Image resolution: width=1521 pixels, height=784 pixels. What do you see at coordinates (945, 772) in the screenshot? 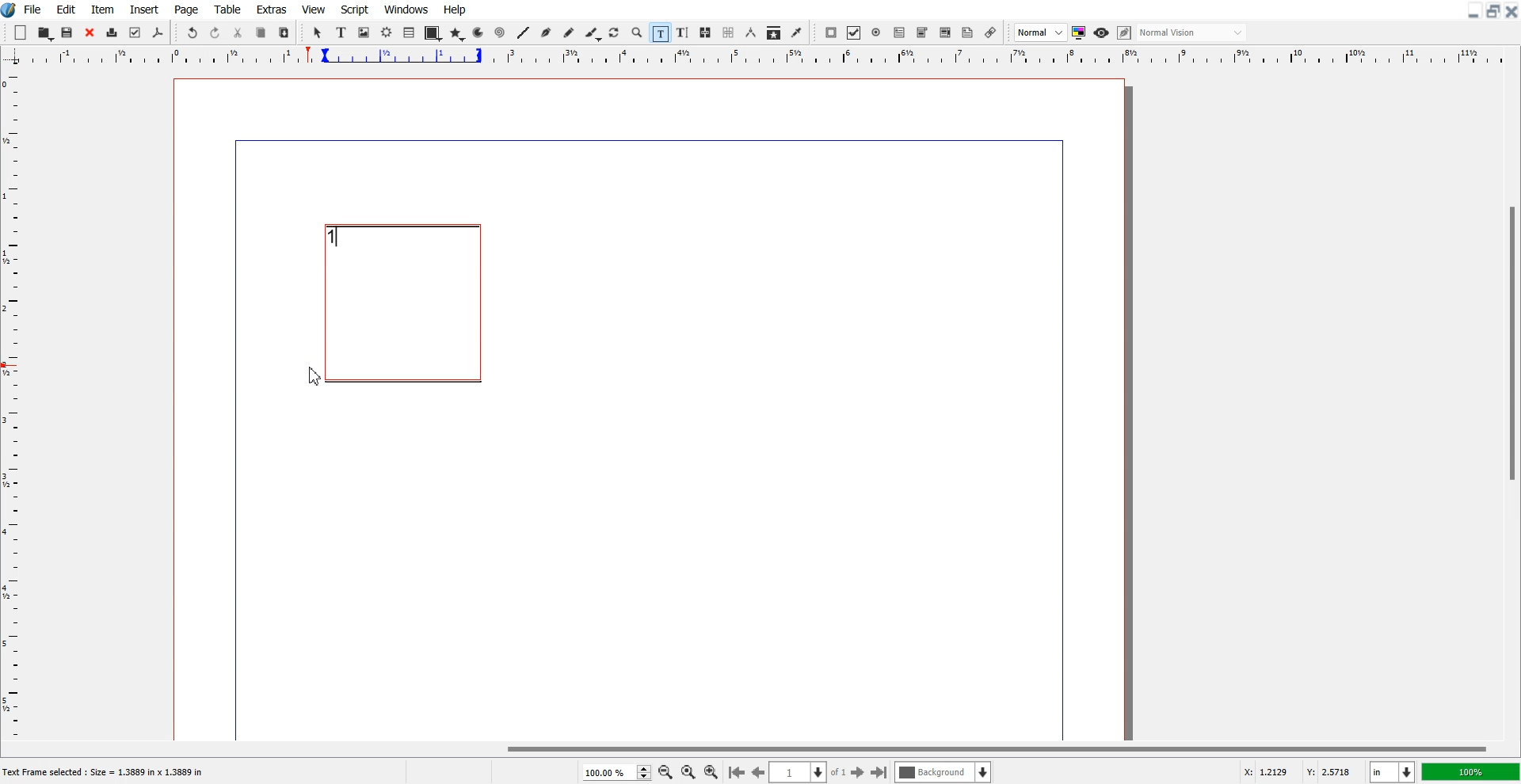
I see `Select the current layer` at bounding box center [945, 772].